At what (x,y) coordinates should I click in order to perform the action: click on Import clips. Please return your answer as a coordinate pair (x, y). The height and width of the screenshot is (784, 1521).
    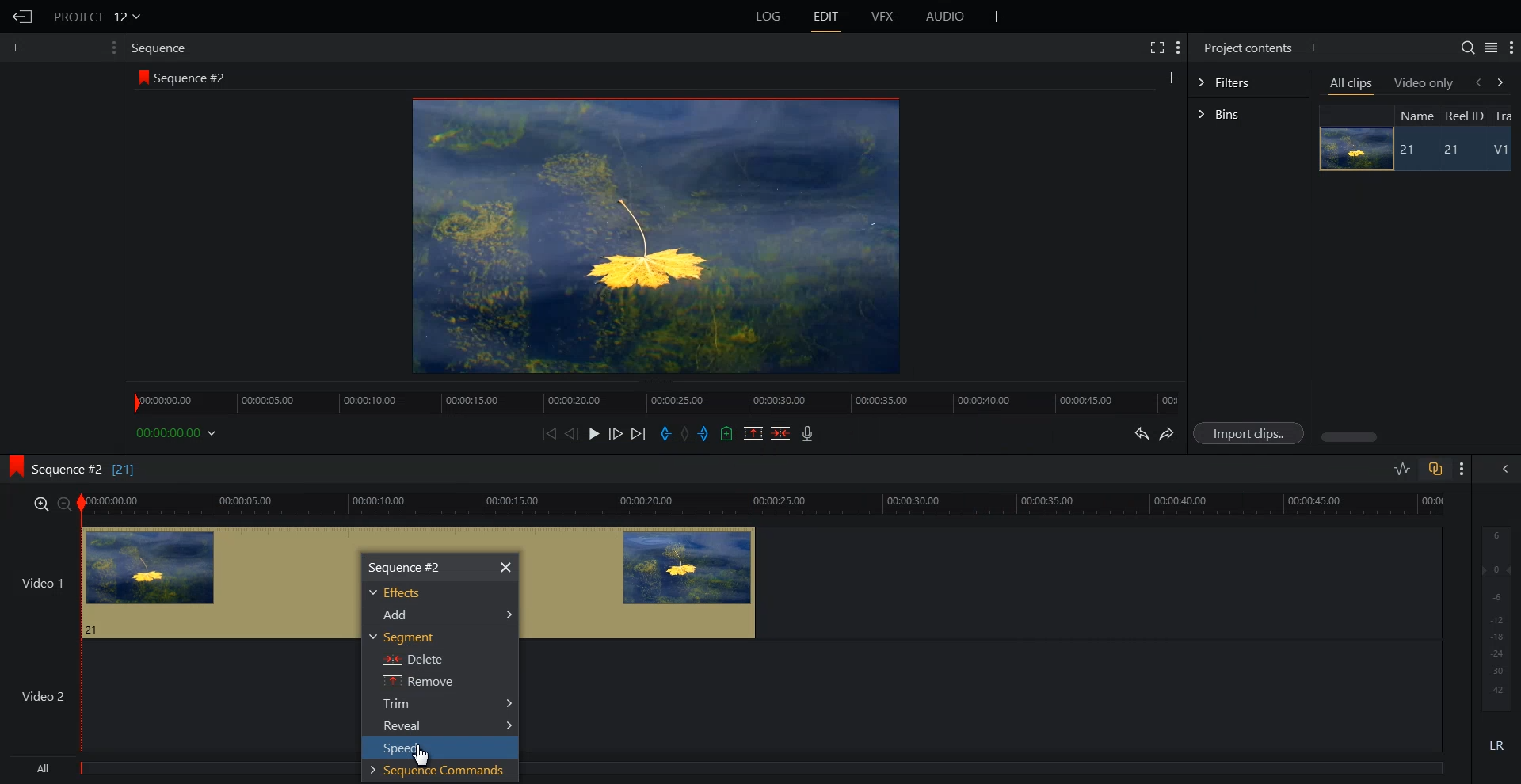
    Looking at the image, I should click on (1252, 434).